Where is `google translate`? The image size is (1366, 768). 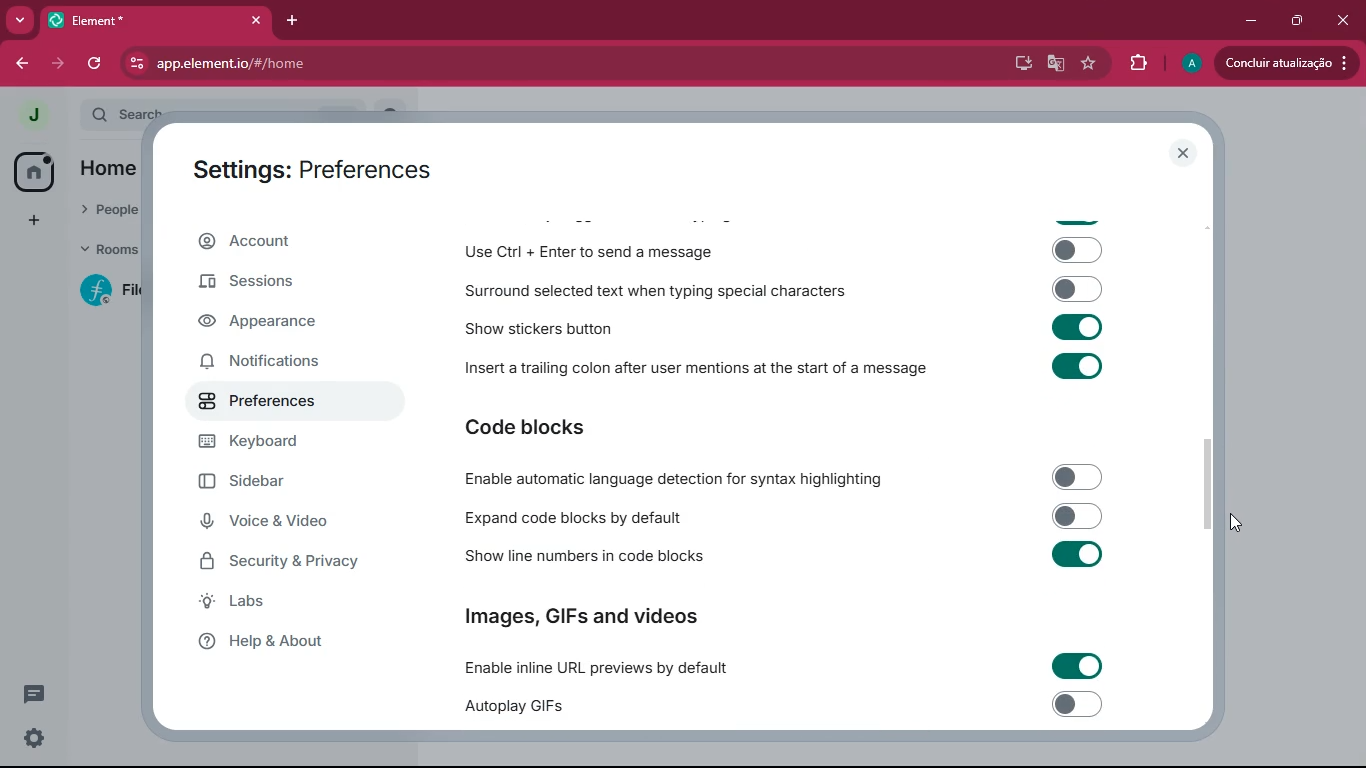 google translate is located at coordinates (1054, 64).